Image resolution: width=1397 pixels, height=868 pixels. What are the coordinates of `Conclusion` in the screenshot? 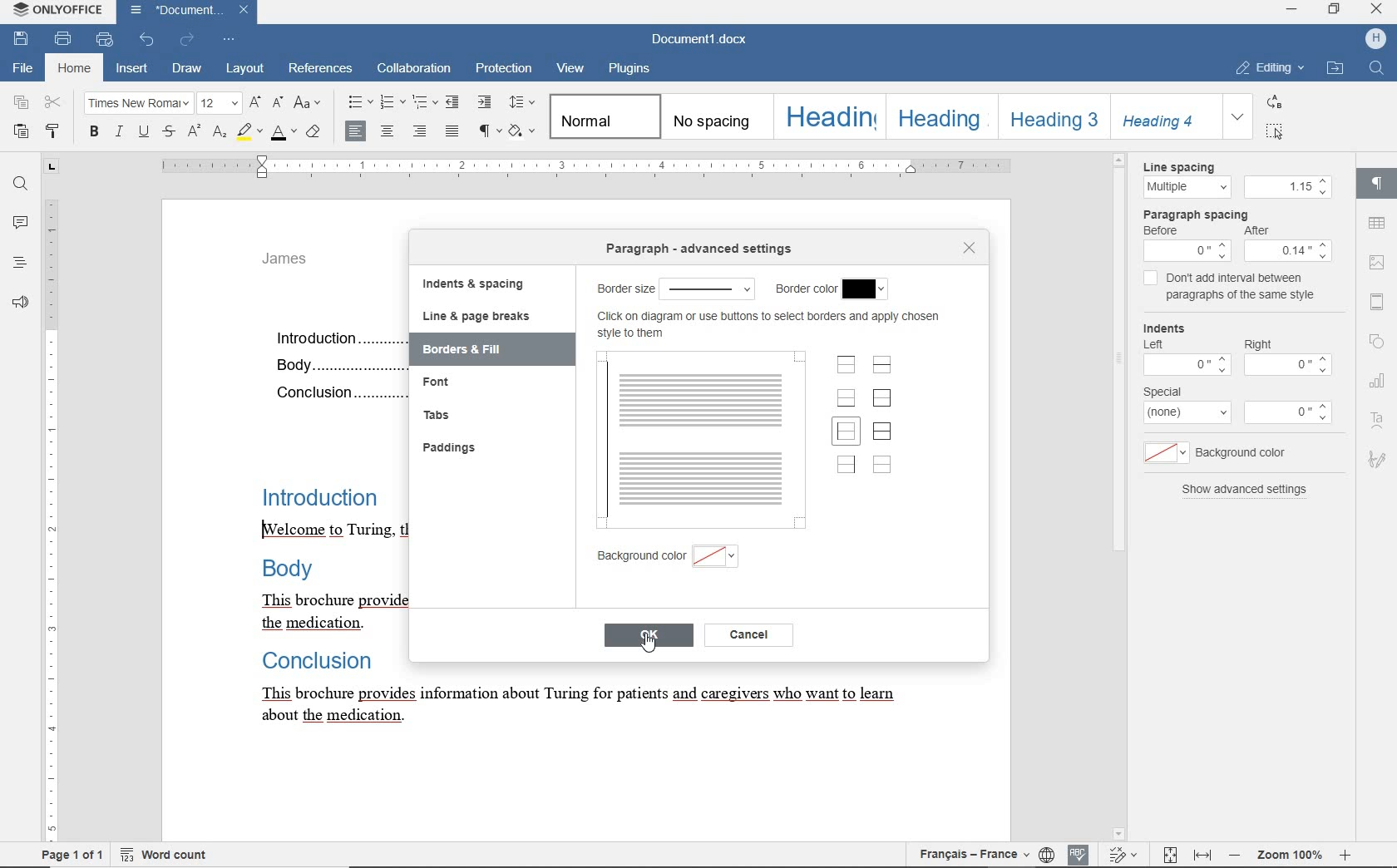 It's located at (337, 393).